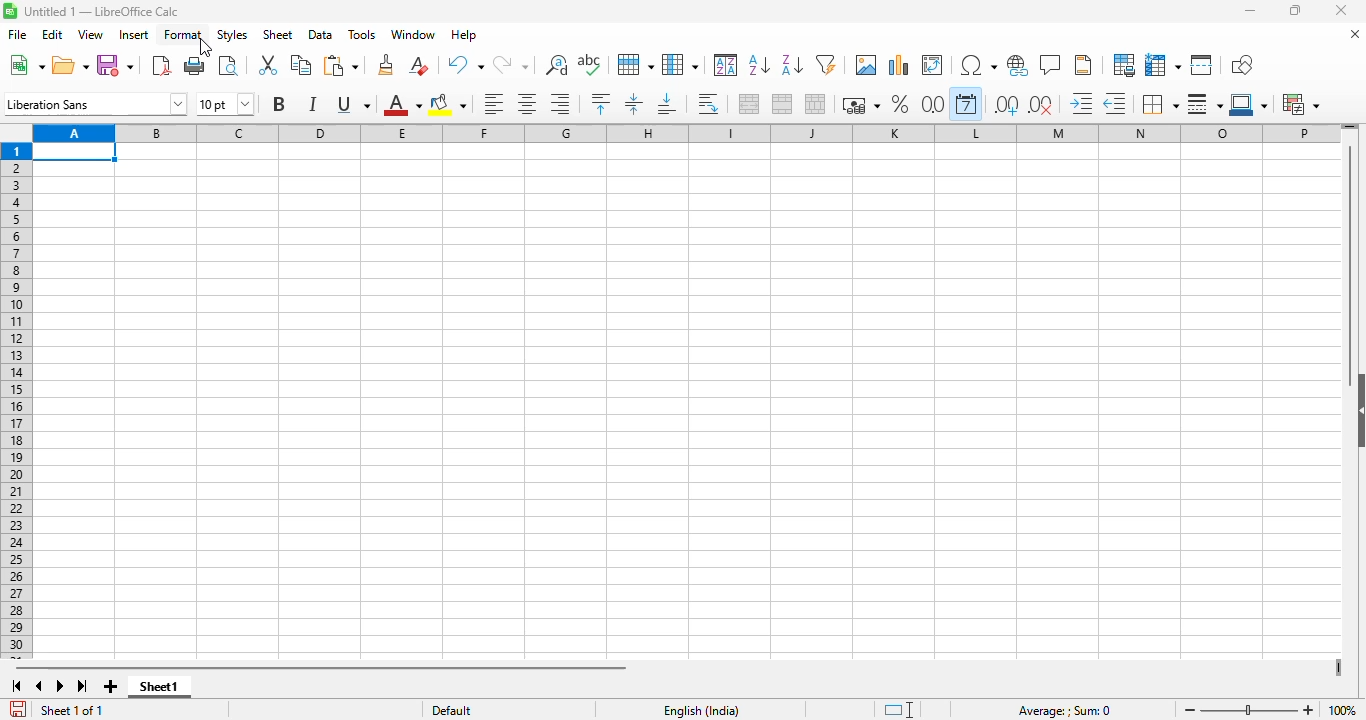 Image resolution: width=1366 pixels, height=720 pixels. I want to click on zoom in, so click(1309, 710).